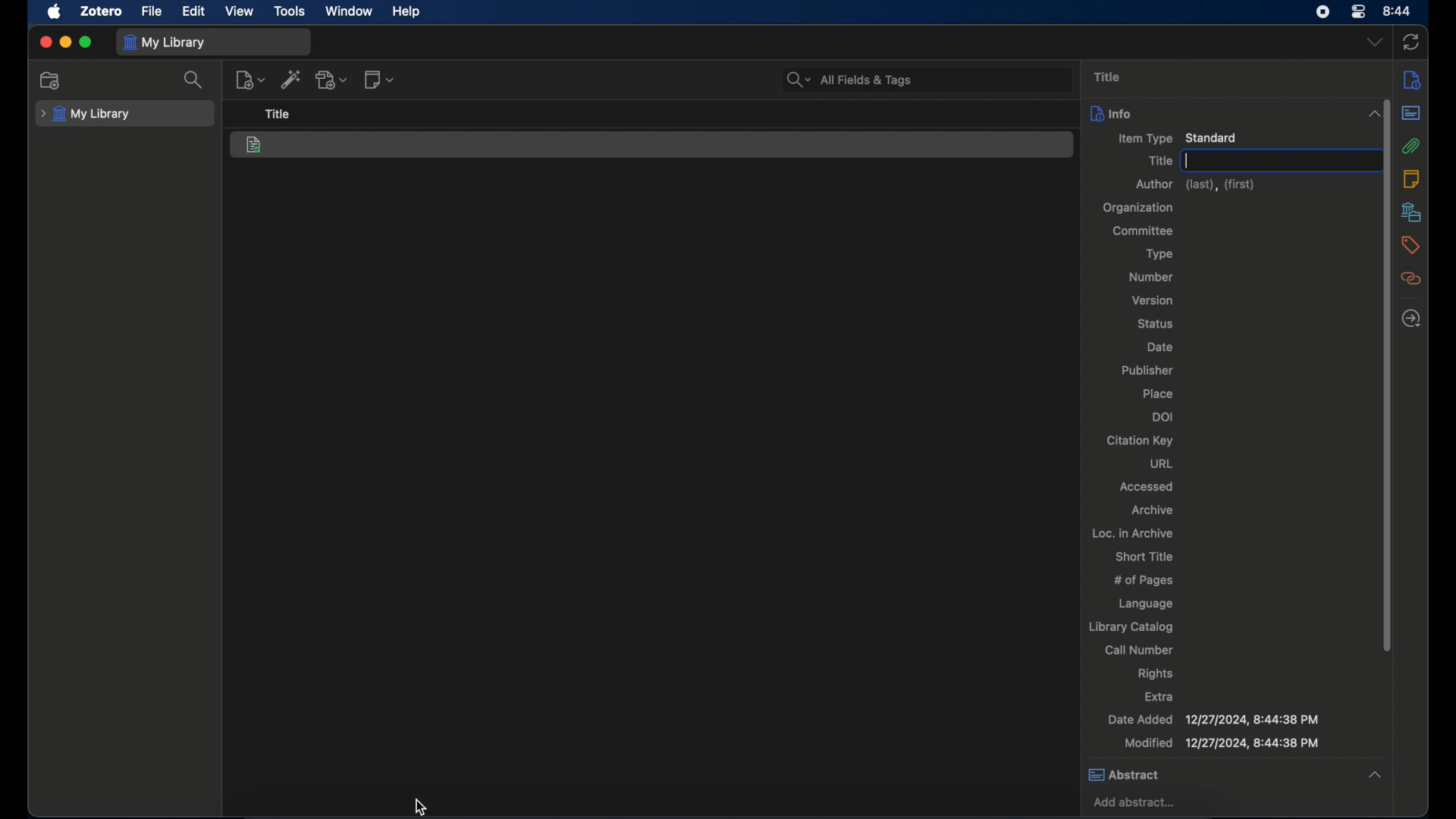 The height and width of the screenshot is (819, 1456). I want to click on add attachment, so click(333, 80).